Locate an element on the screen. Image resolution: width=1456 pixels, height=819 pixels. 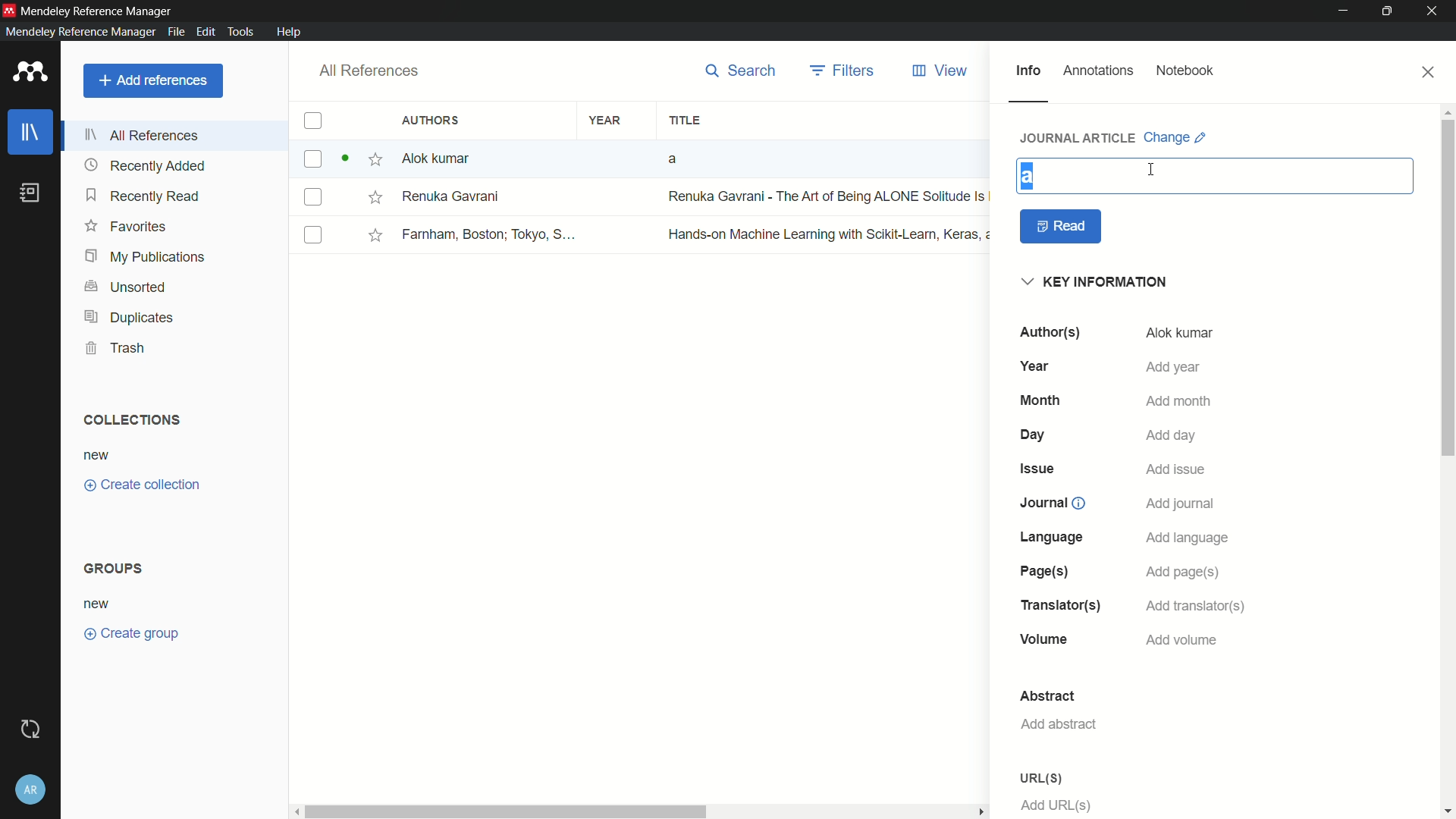
year is located at coordinates (606, 121).